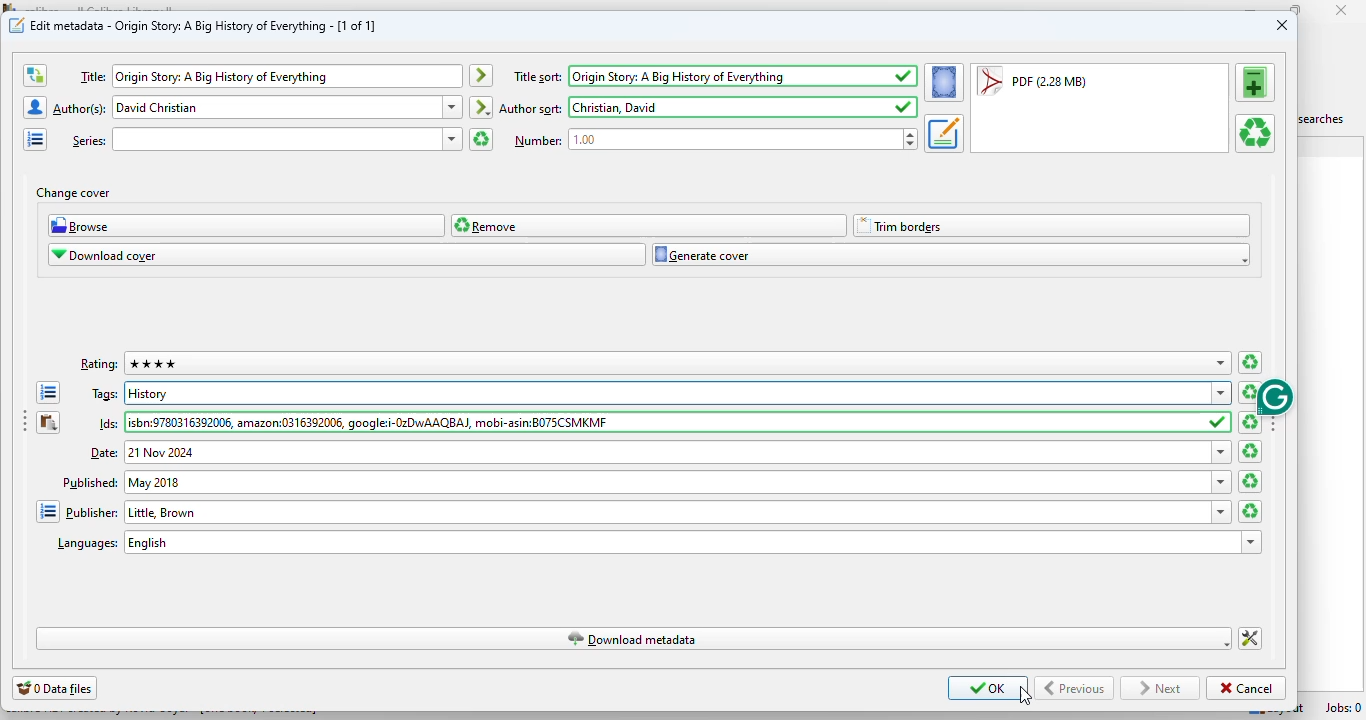  I want to click on Jobs: 0, so click(1343, 707).